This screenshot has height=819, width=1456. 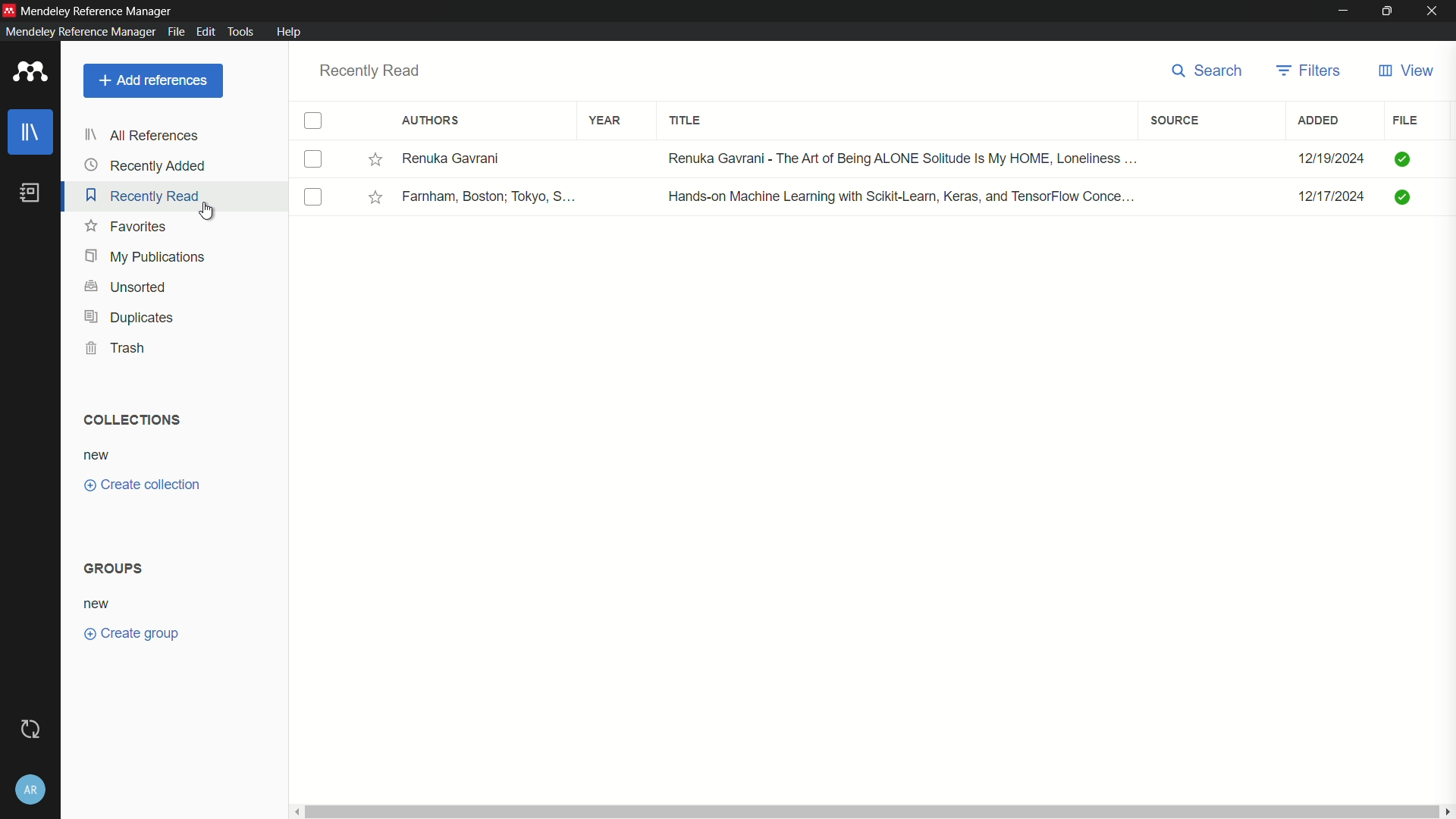 I want to click on Check, so click(x=1406, y=160).